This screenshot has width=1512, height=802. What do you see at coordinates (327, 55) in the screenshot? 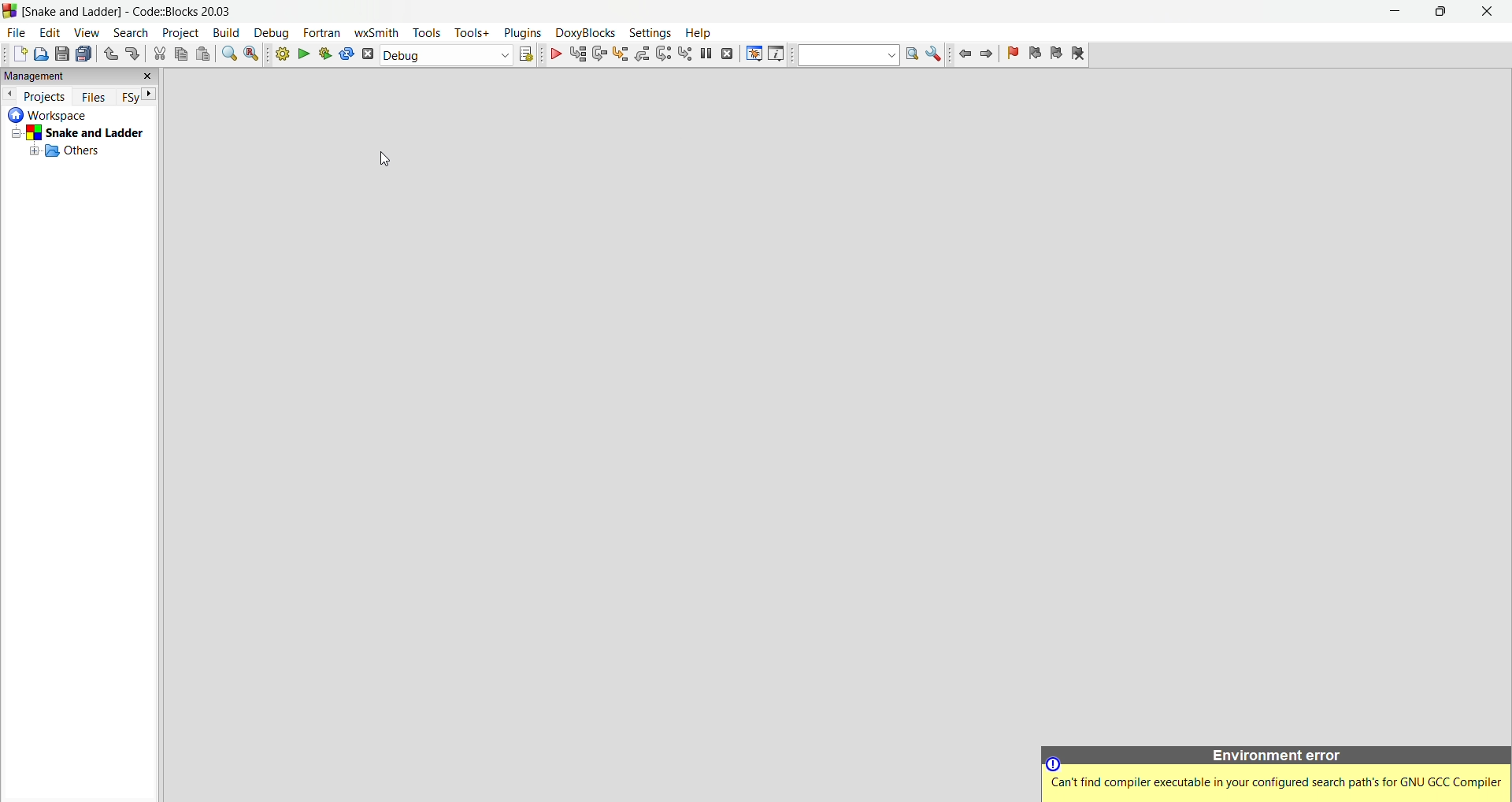
I see `build and run` at bounding box center [327, 55].